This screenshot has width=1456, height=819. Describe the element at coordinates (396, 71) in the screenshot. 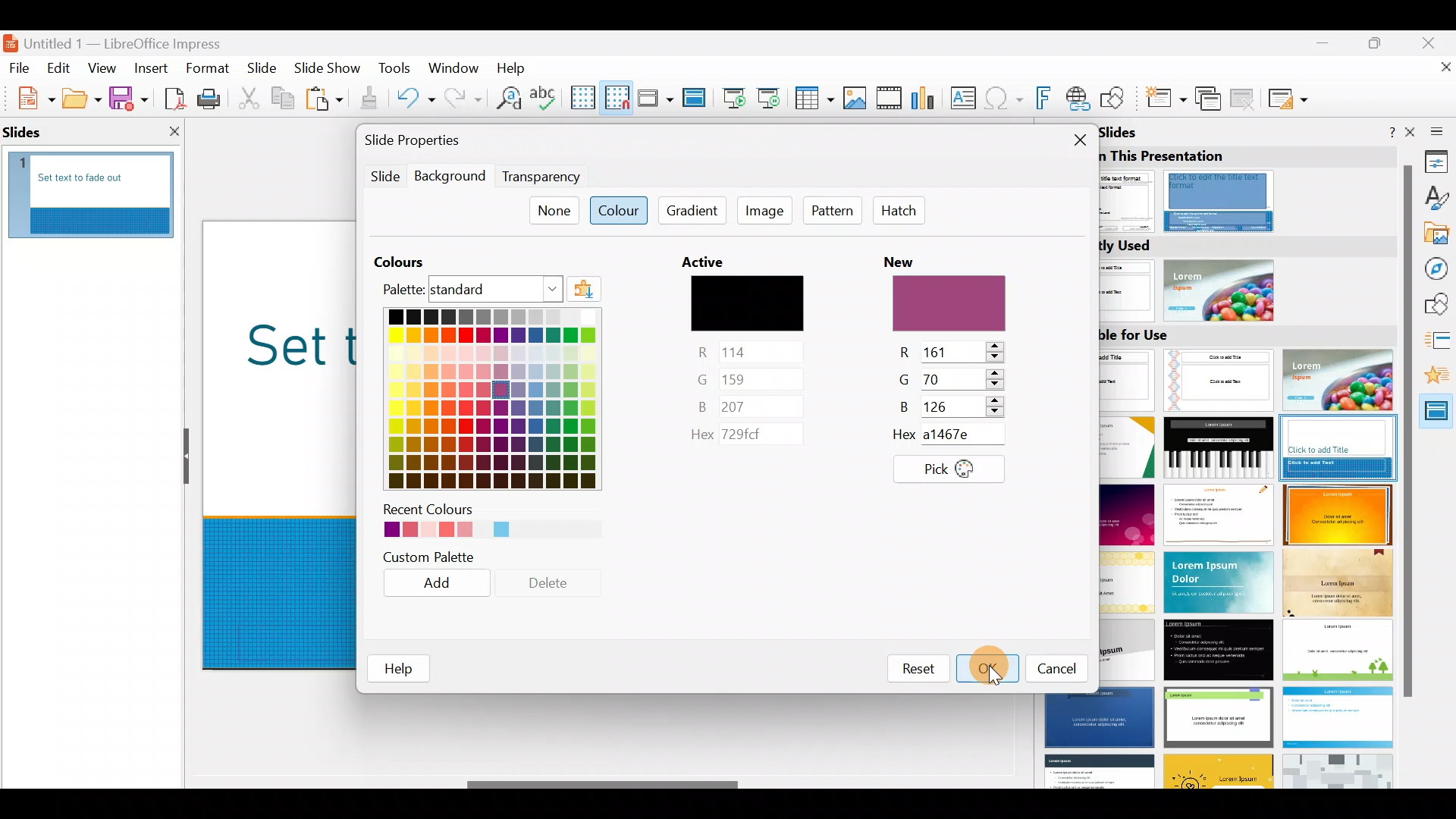

I see `Tools` at that location.